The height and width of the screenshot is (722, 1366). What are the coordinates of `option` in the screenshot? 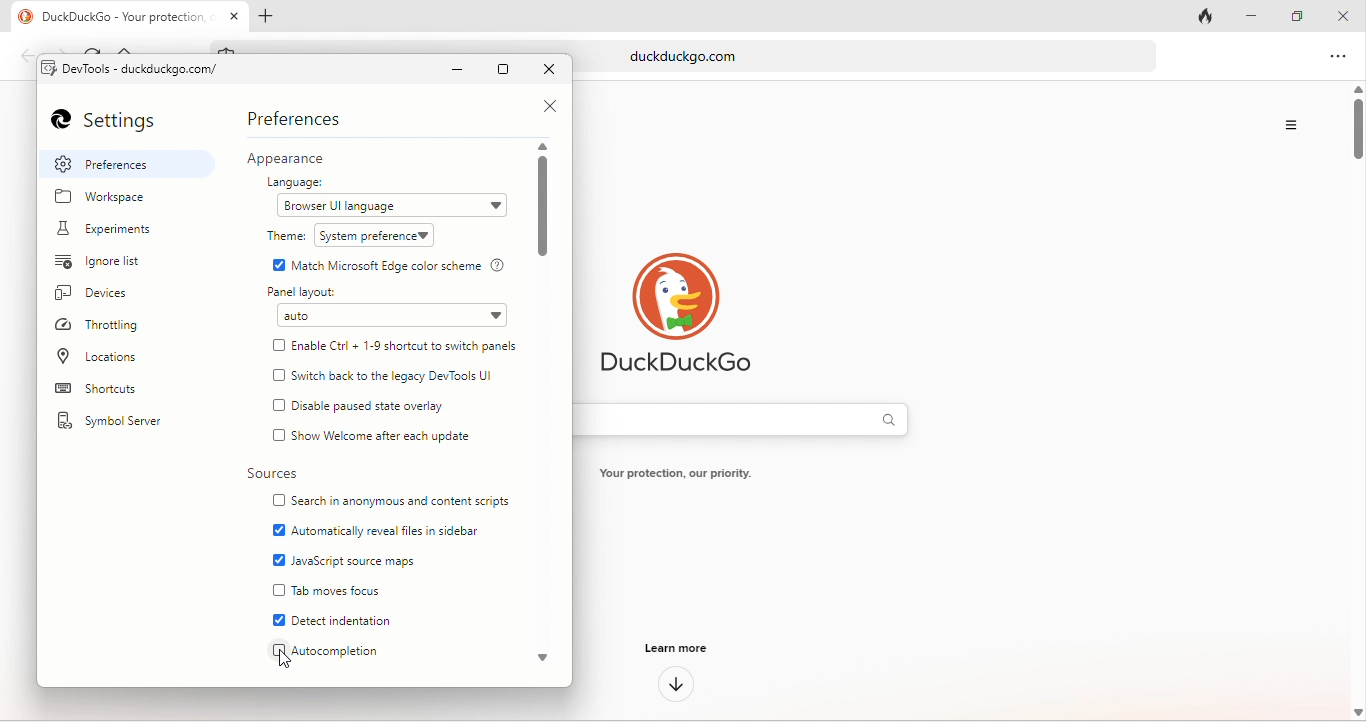 It's located at (1338, 59).